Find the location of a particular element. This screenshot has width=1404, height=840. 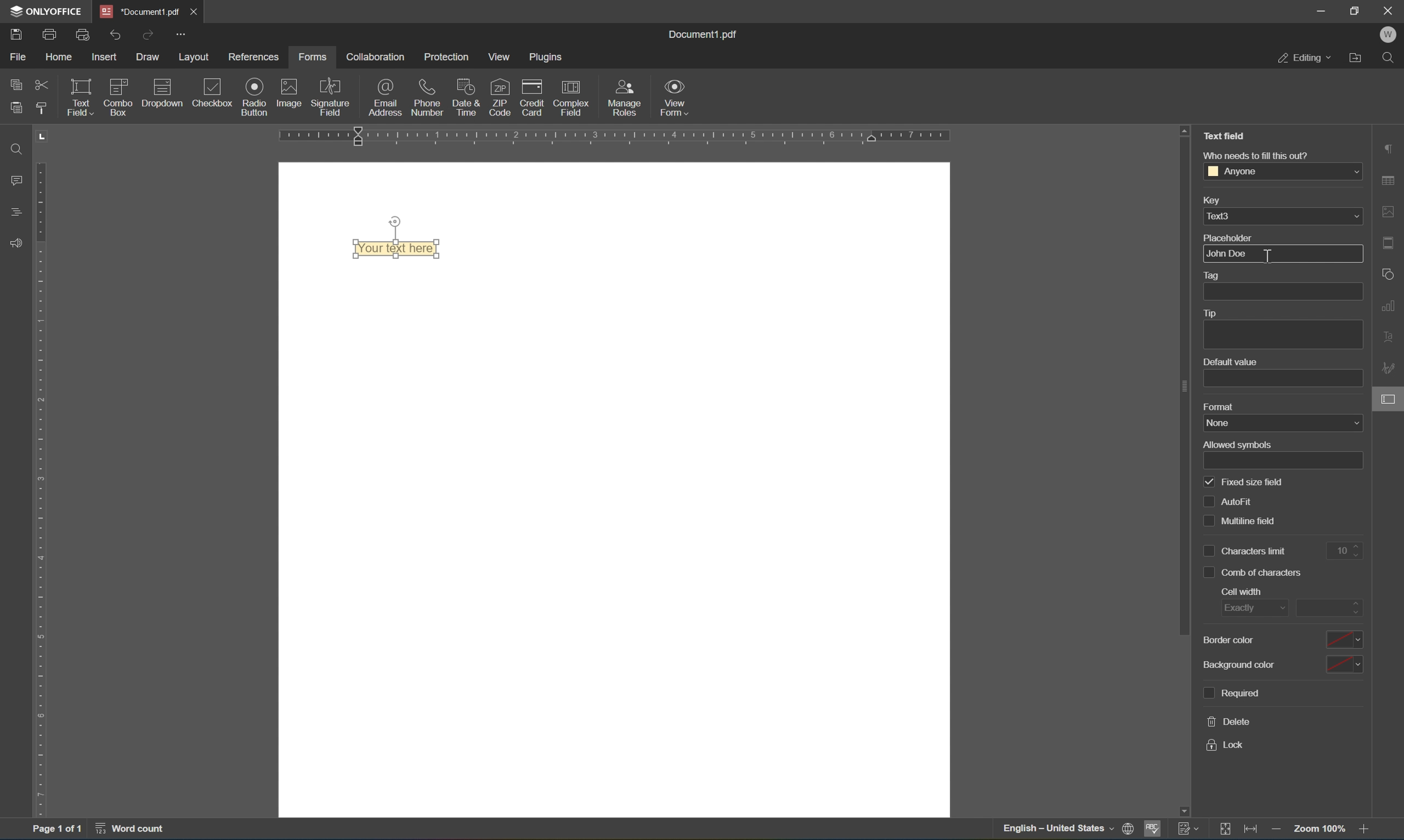

delete is located at coordinates (1228, 721).